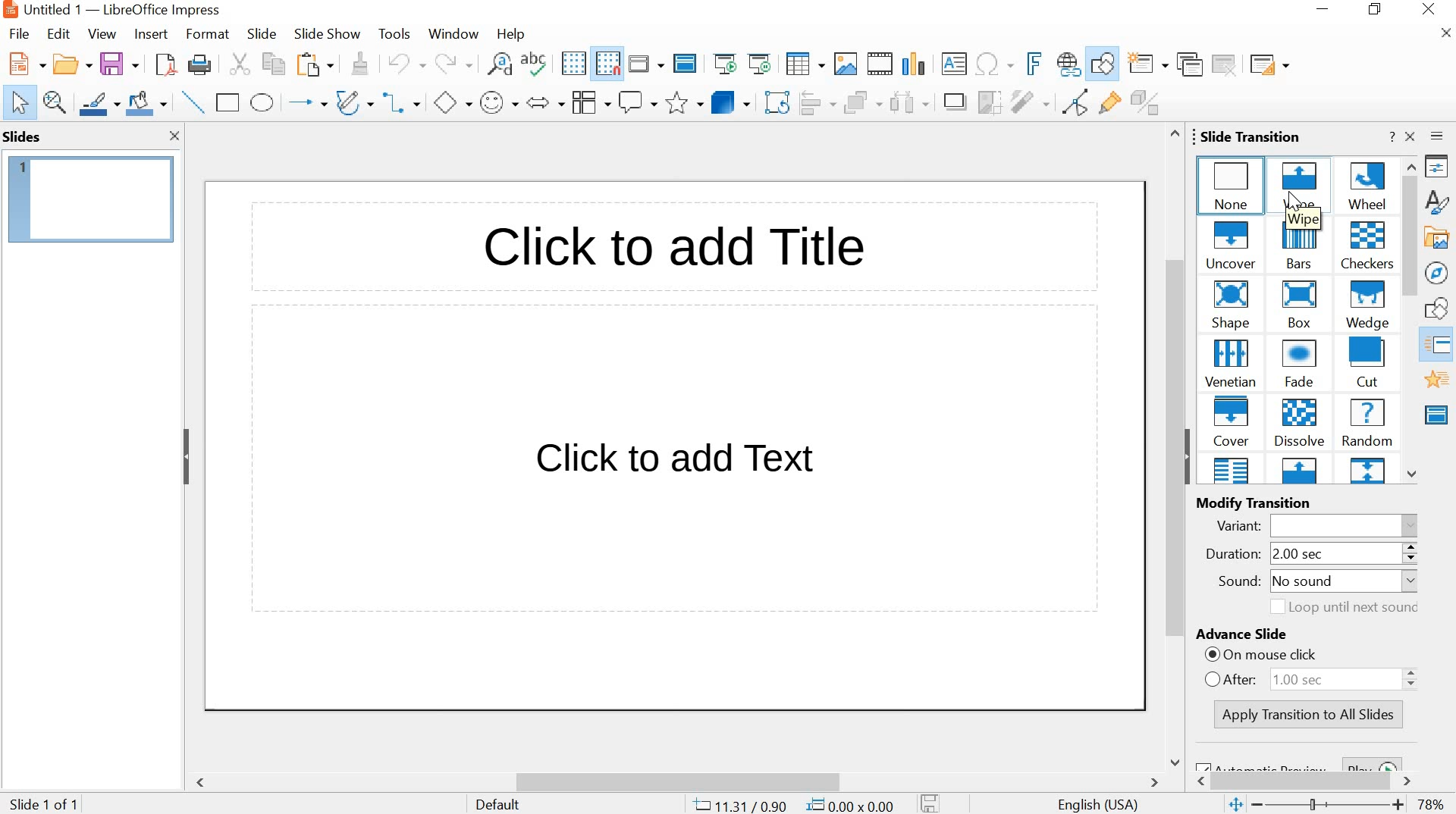 This screenshot has width=1456, height=814. What do you see at coordinates (452, 101) in the screenshot?
I see `Basic shapes` at bounding box center [452, 101].